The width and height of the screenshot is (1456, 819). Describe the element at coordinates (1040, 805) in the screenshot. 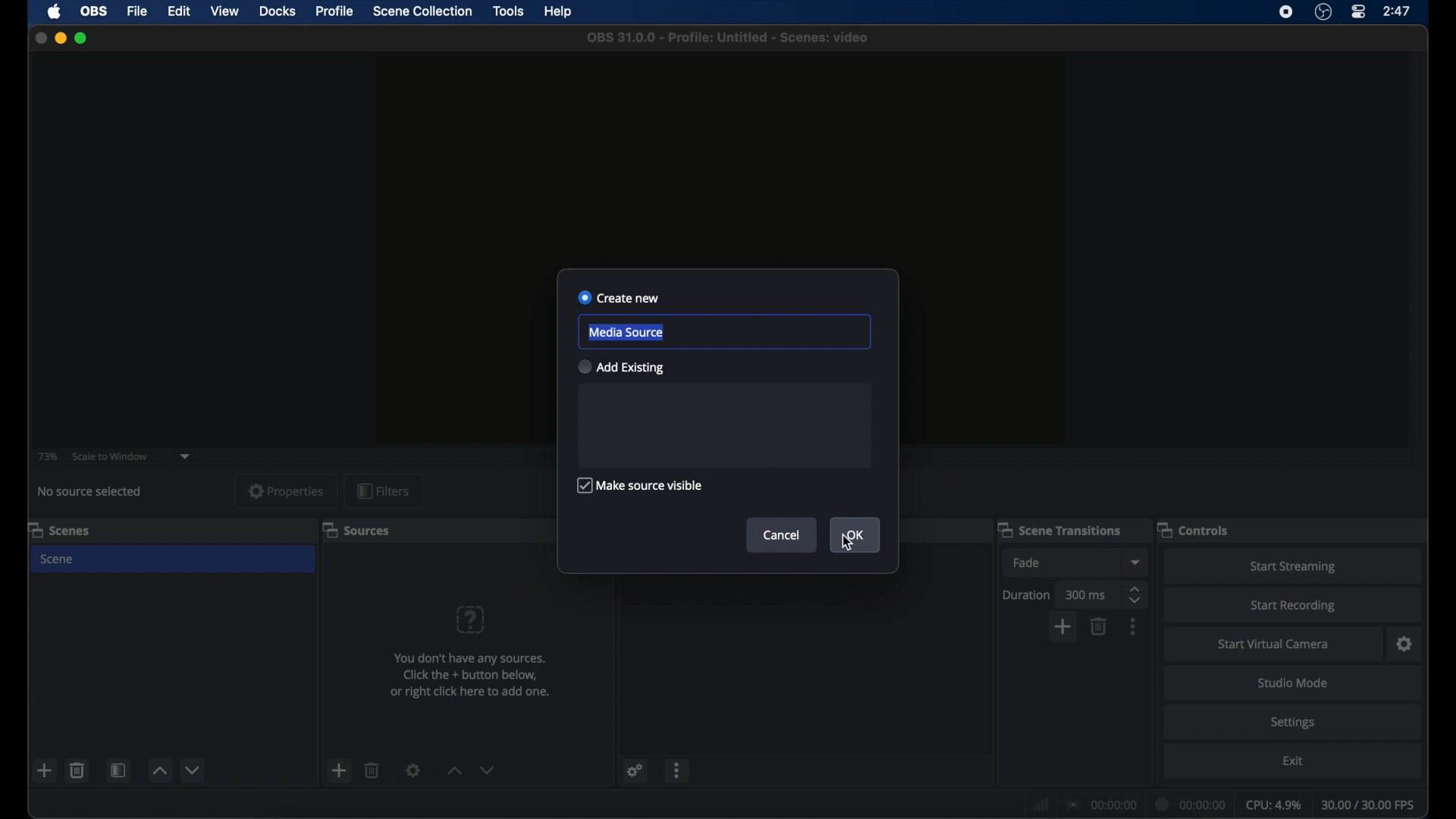

I see `network` at that location.